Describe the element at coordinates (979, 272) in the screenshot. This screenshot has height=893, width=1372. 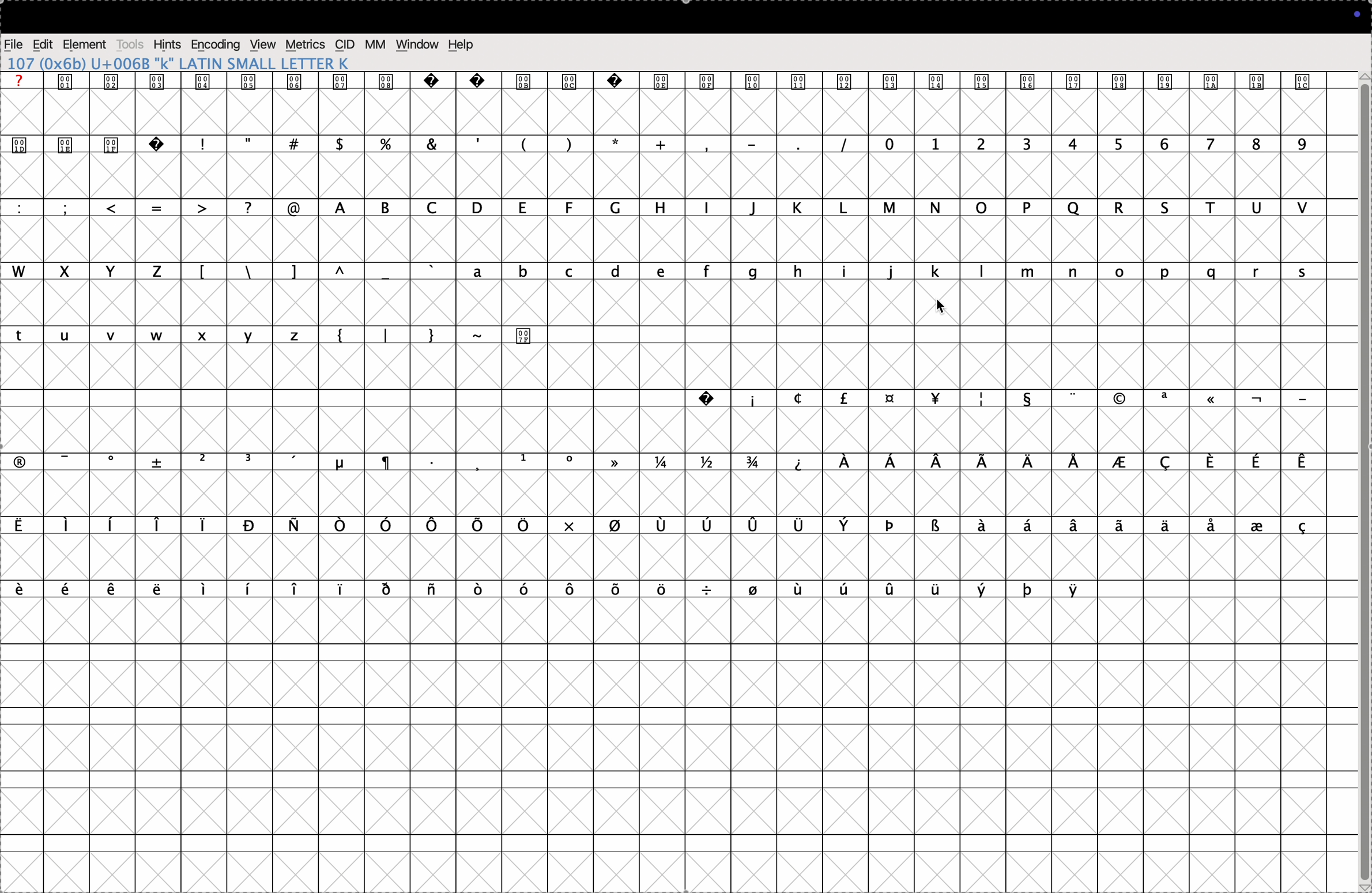
I see `l` at that location.